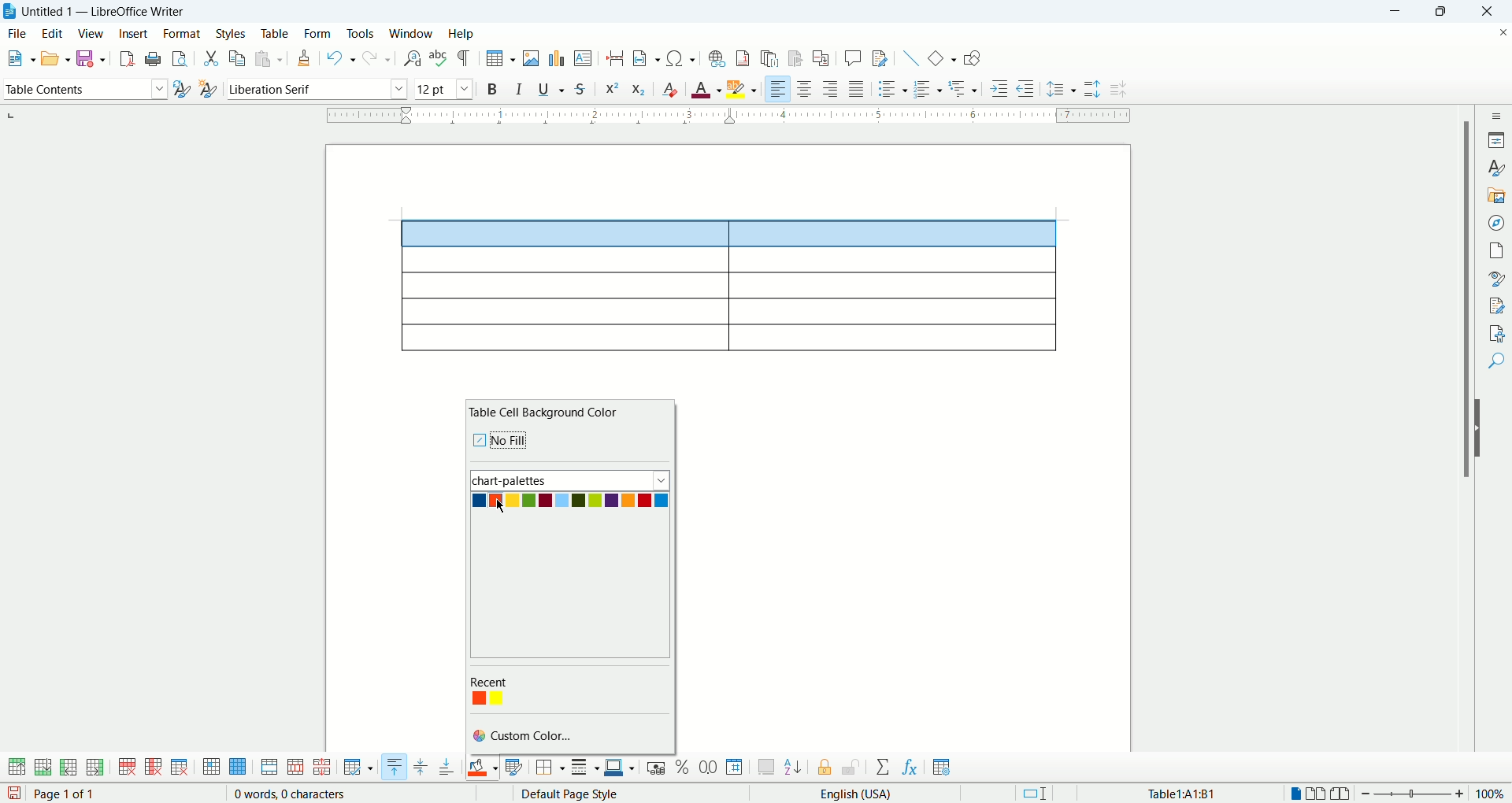 This screenshot has width=1512, height=803. Describe the element at coordinates (90, 58) in the screenshot. I see `save` at that location.